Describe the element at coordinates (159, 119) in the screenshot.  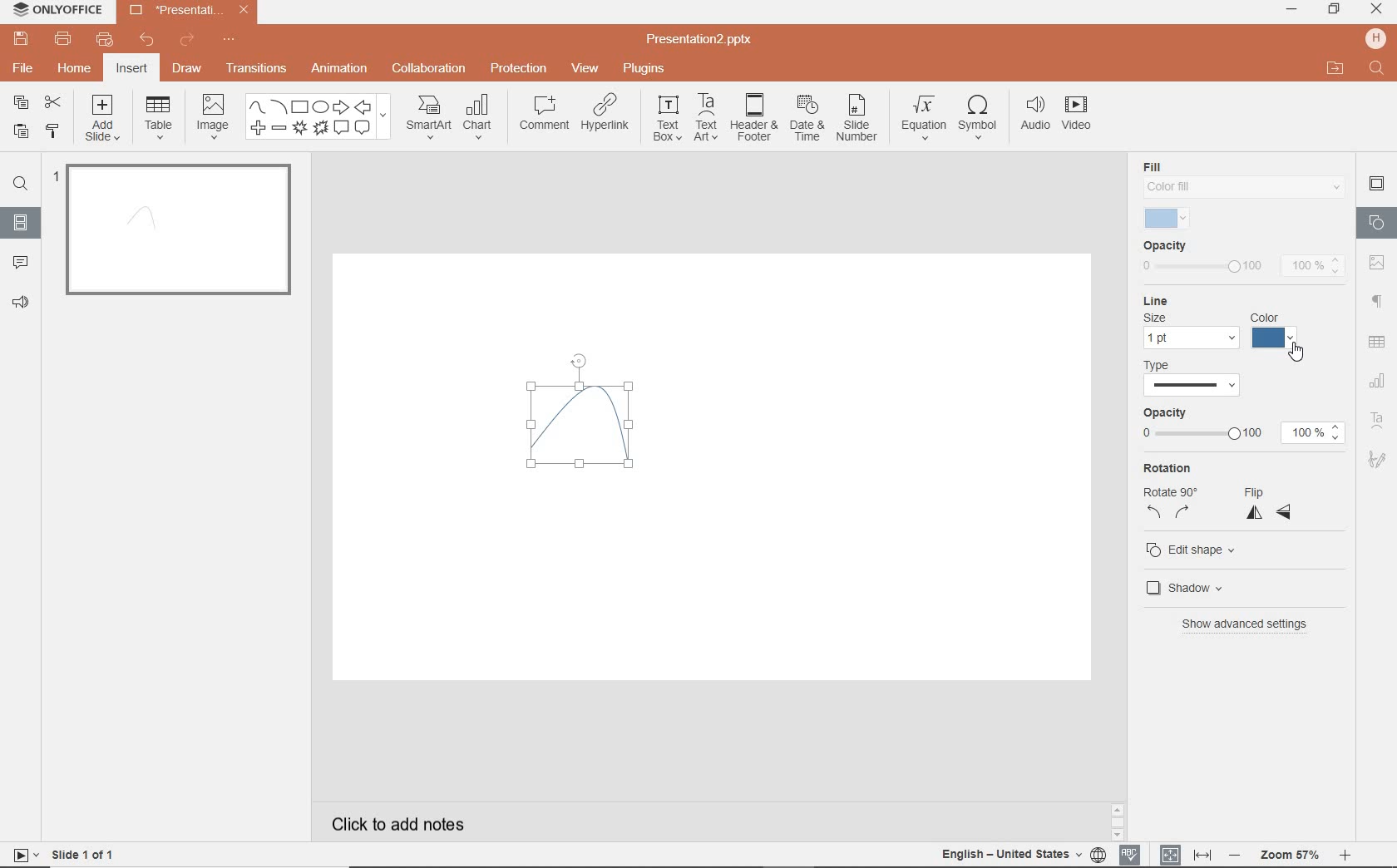
I see `TABLE` at that location.